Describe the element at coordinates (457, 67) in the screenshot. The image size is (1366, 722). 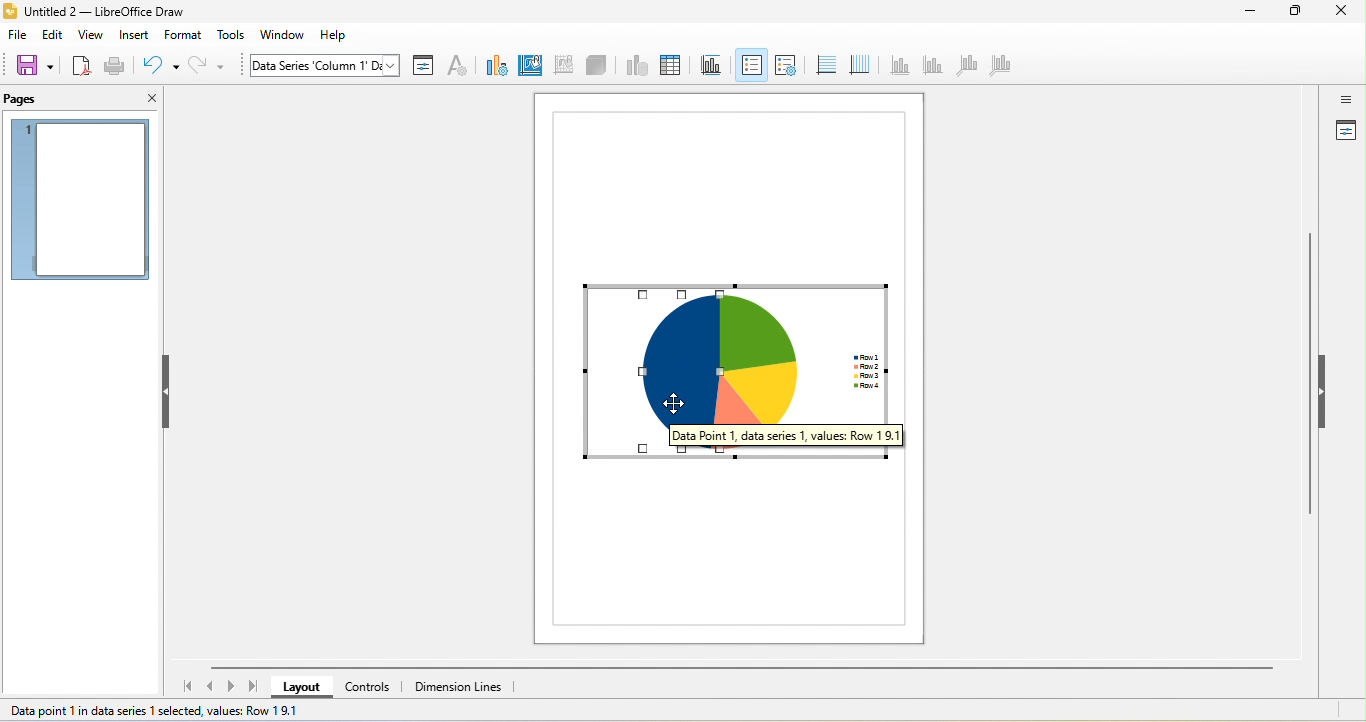
I see `character` at that location.